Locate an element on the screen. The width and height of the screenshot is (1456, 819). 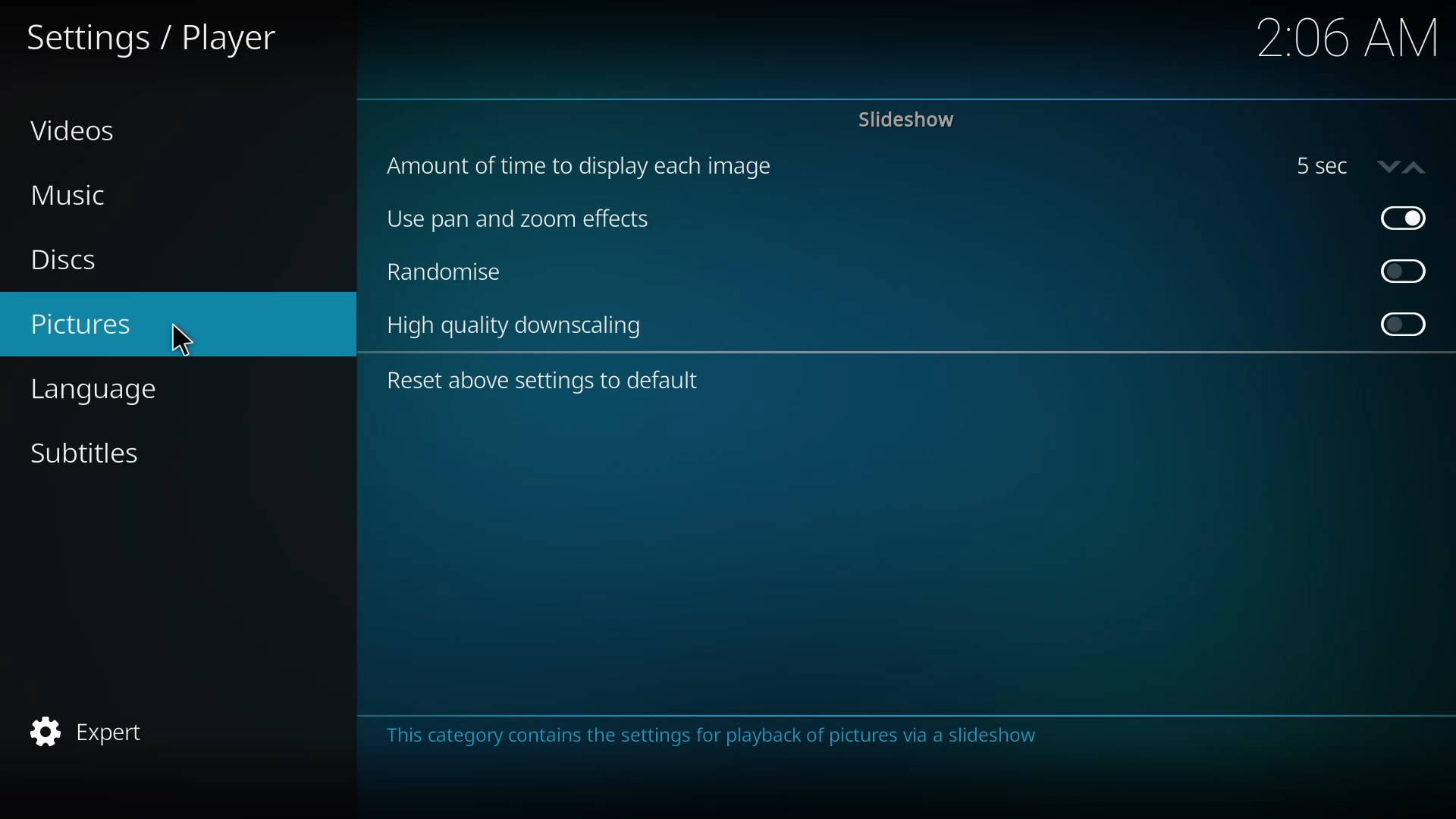
language is located at coordinates (92, 390).